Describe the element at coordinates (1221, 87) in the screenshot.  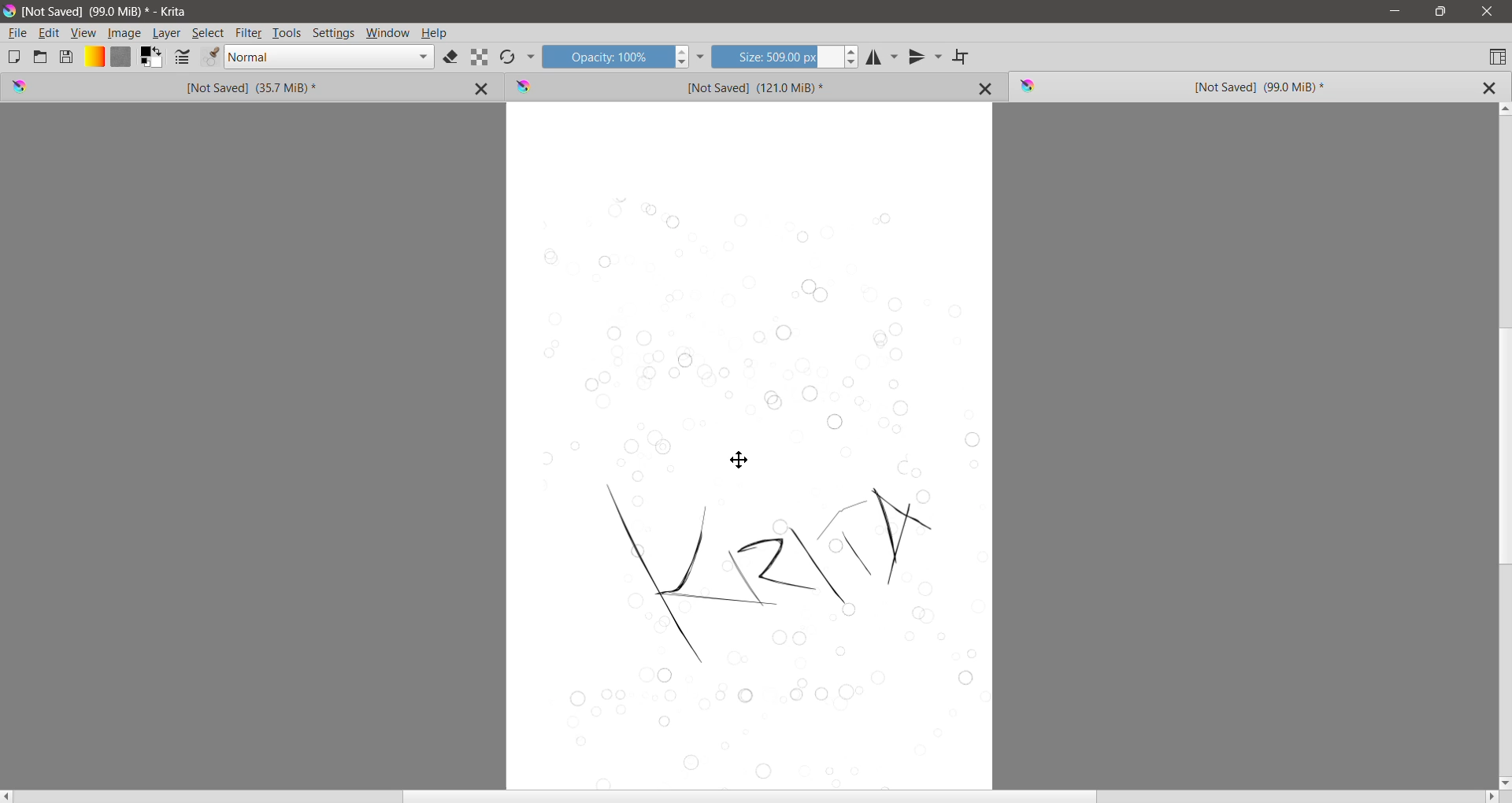
I see `Unsaved Image (Current) Tab 3` at that location.